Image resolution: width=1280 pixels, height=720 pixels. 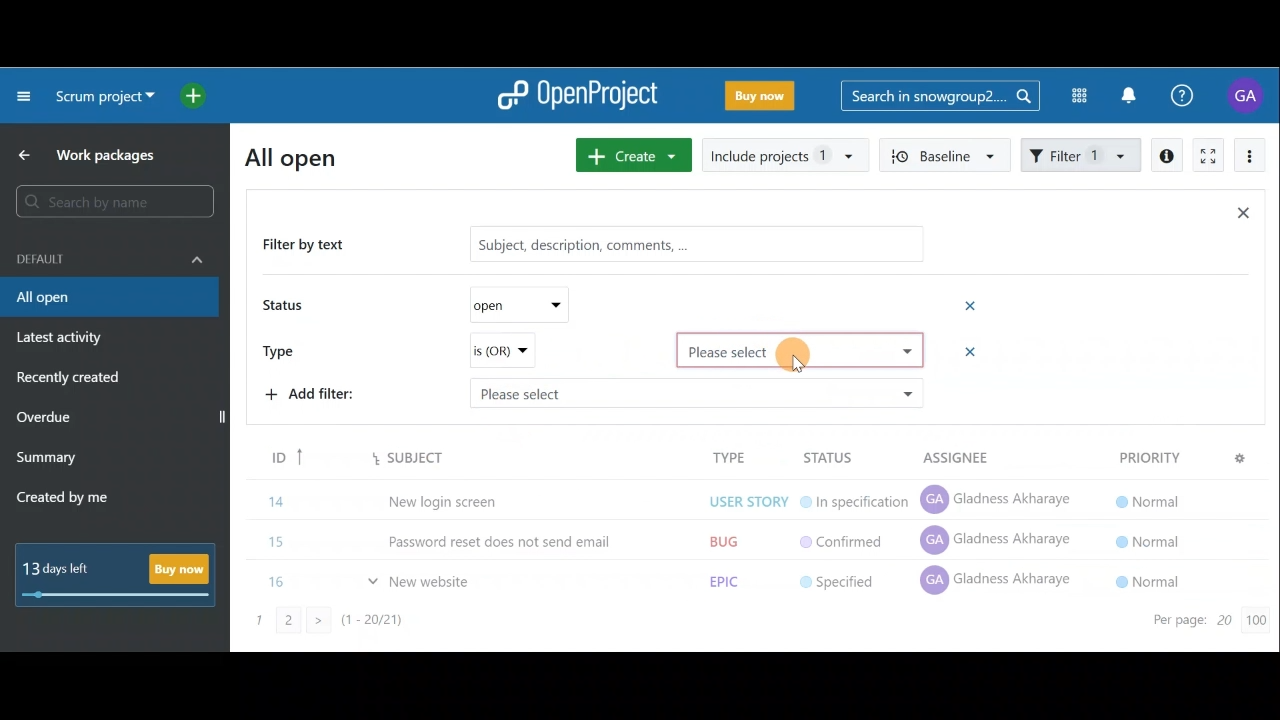 What do you see at coordinates (1250, 159) in the screenshot?
I see `More actions` at bounding box center [1250, 159].